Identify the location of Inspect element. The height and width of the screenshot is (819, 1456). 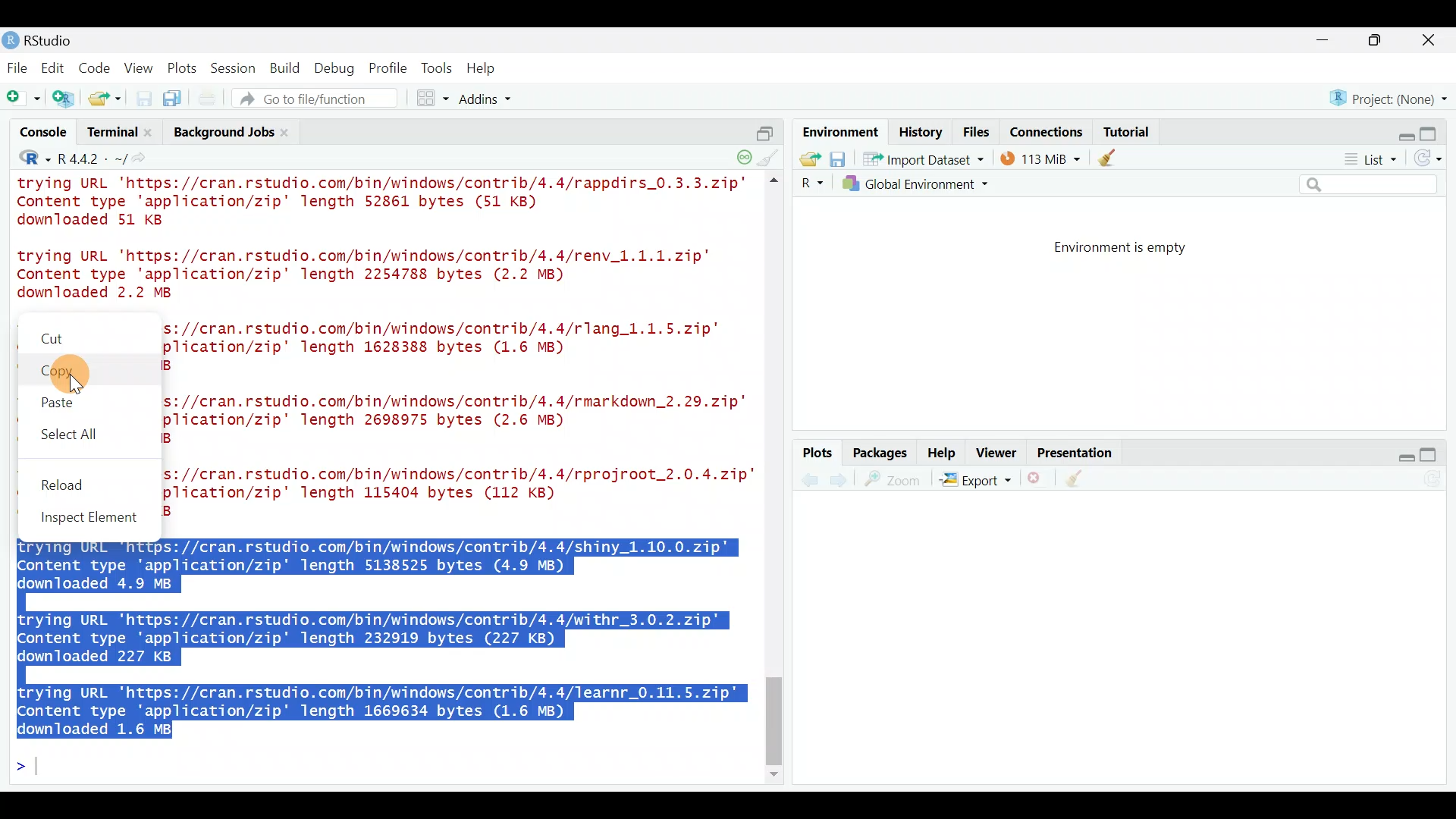
(92, 514).